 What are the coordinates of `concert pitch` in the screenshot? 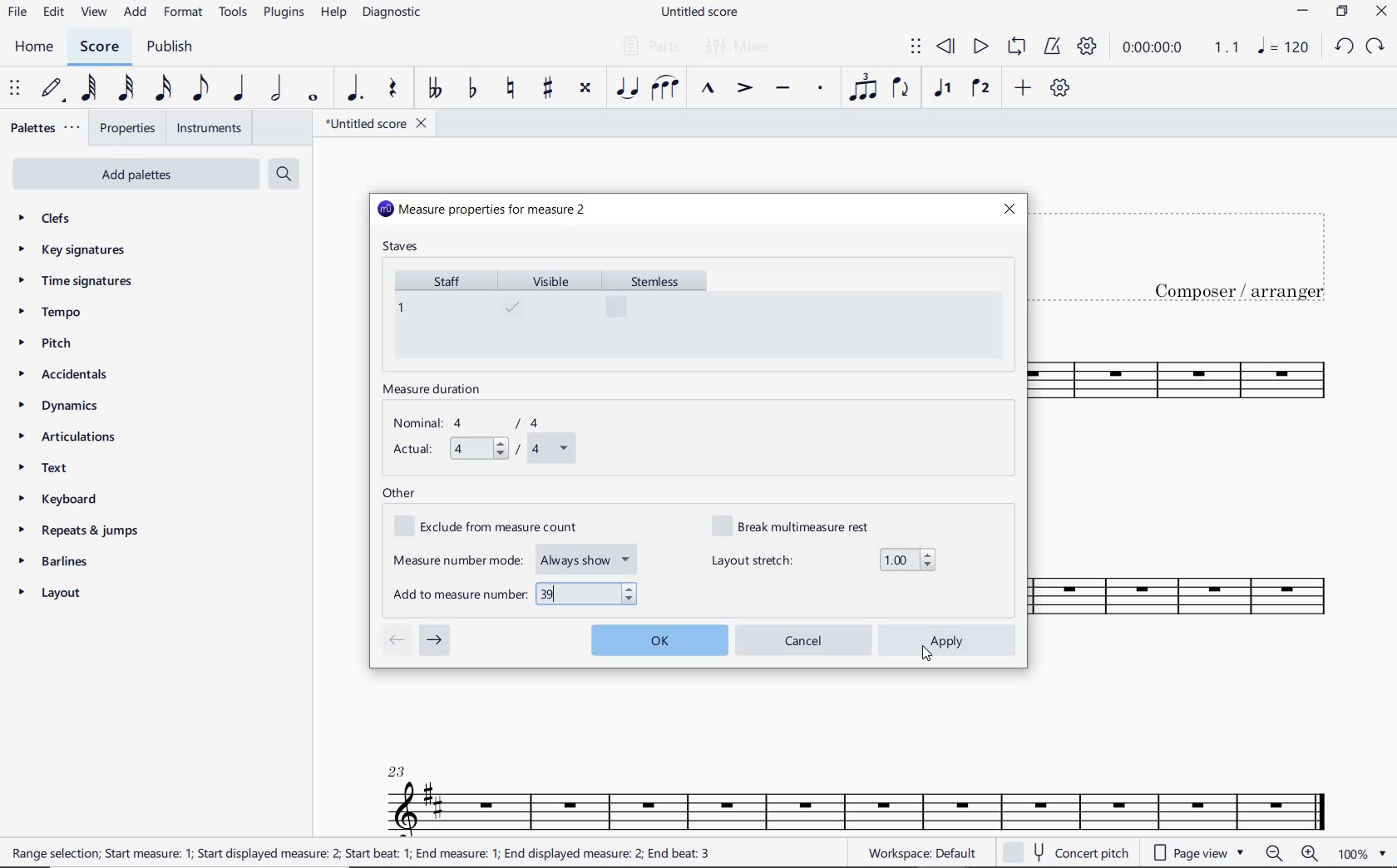 It's located at (1069, 853).